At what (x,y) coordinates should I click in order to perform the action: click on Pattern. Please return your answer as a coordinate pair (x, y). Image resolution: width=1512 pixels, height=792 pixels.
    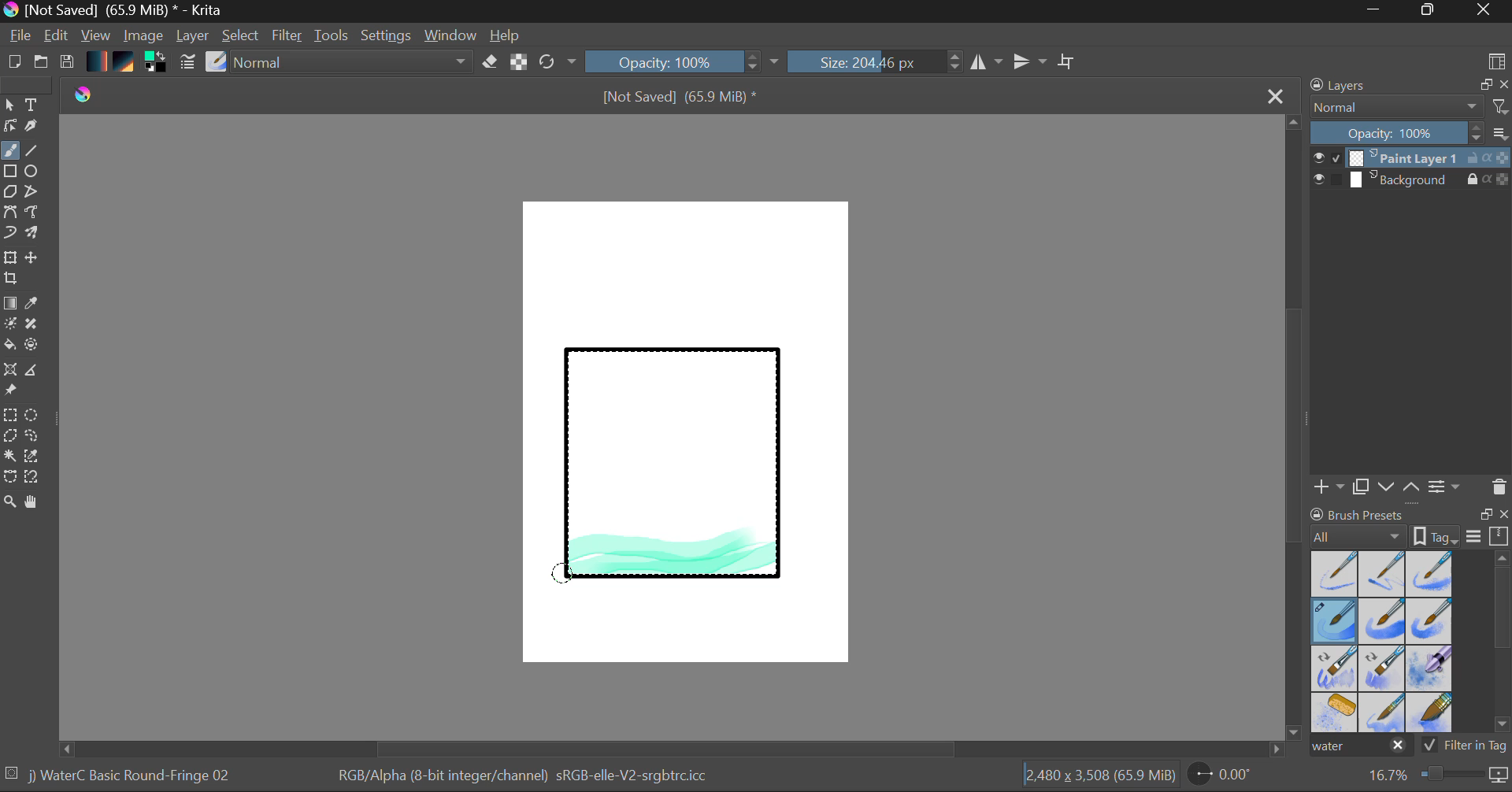
    Looking at the image, I should click on (126, 63).